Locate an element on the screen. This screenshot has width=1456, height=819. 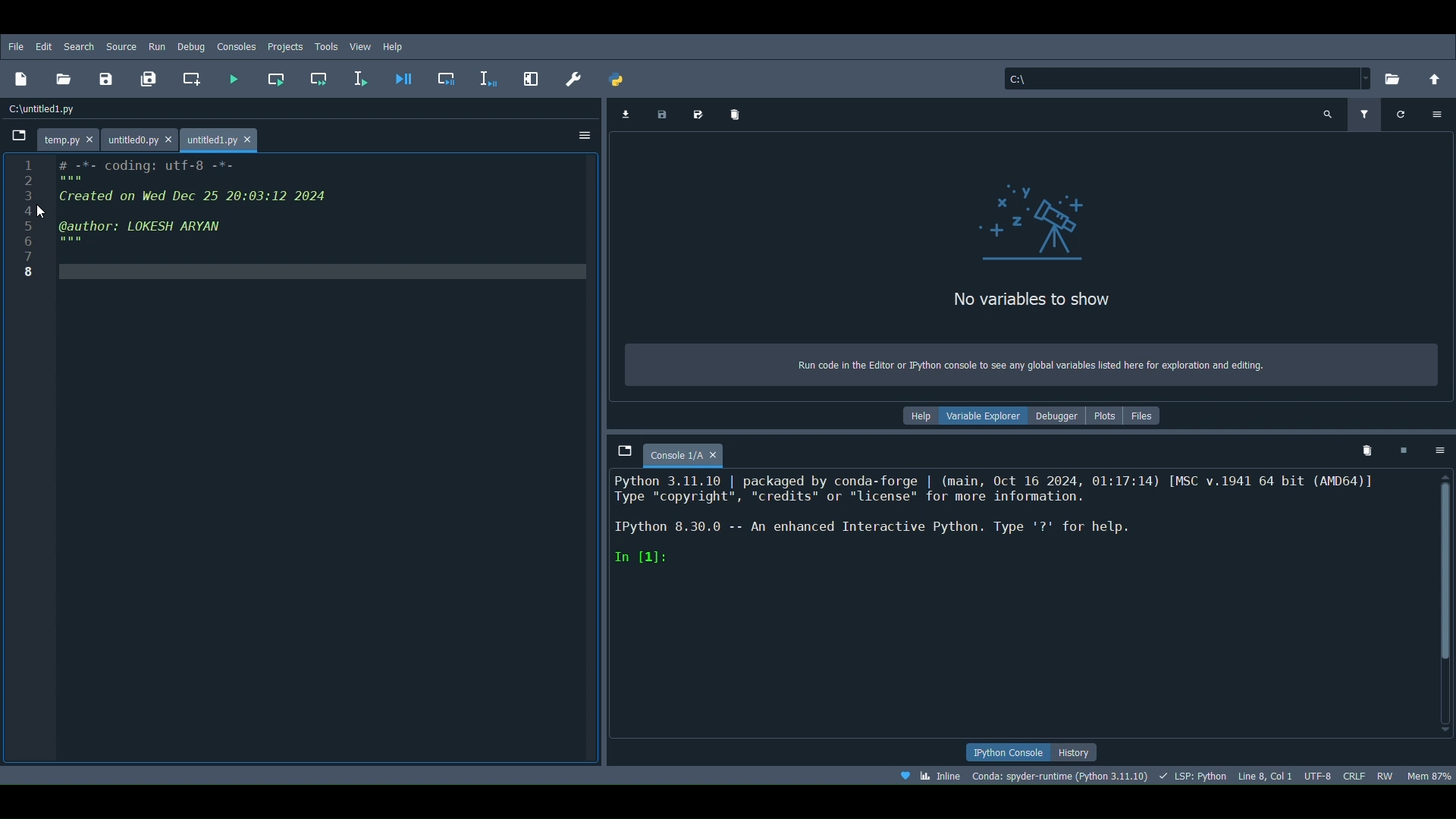
Remove all variables is located at coordinates (736, 115).